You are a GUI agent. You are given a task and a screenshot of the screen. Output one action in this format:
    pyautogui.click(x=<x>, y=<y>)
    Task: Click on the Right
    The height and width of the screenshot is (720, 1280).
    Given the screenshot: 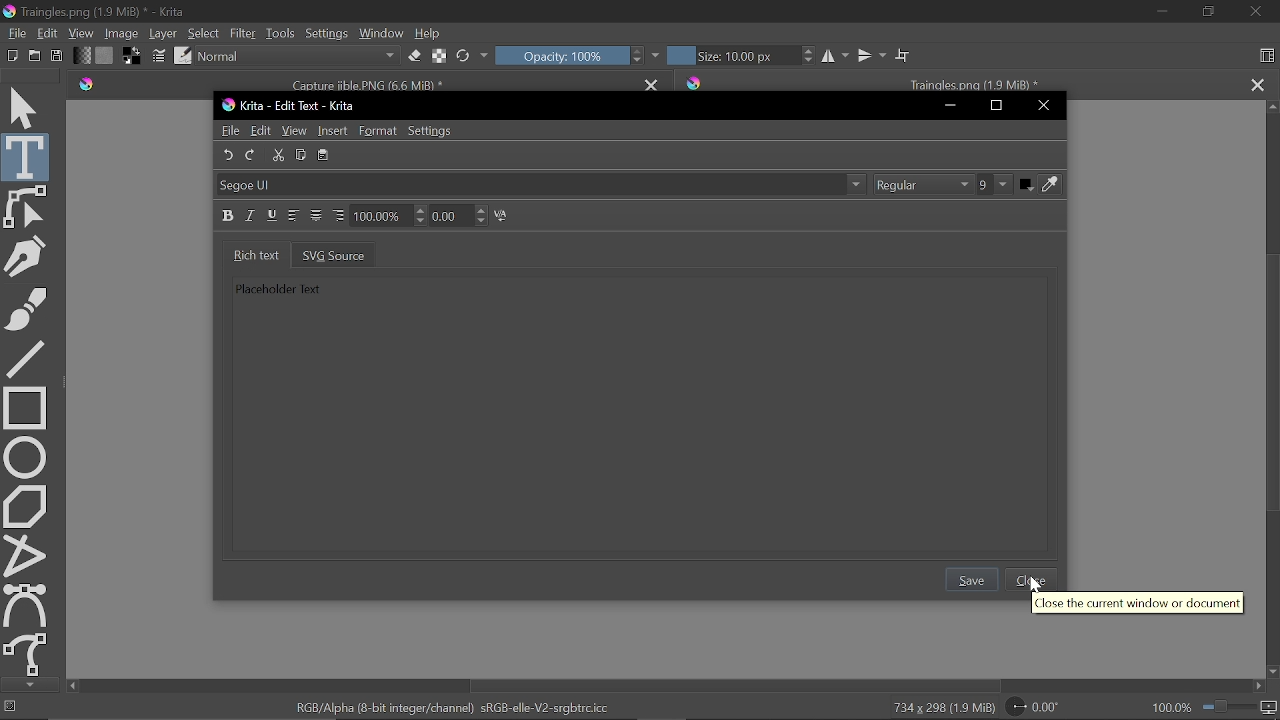 What is the action you would take?
    pyautogui.click(x=338, y=215)
    